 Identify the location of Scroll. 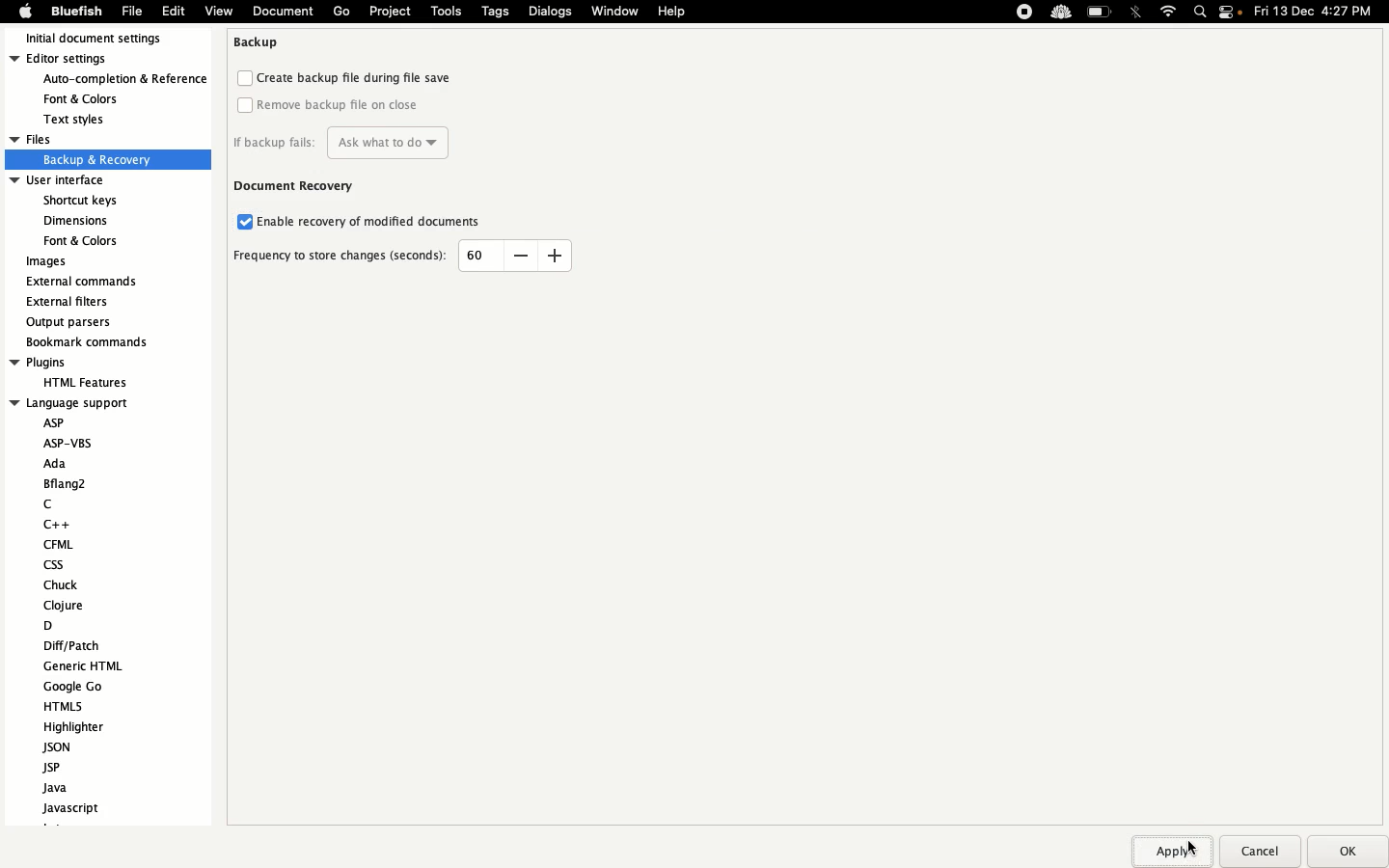
(208, 319).